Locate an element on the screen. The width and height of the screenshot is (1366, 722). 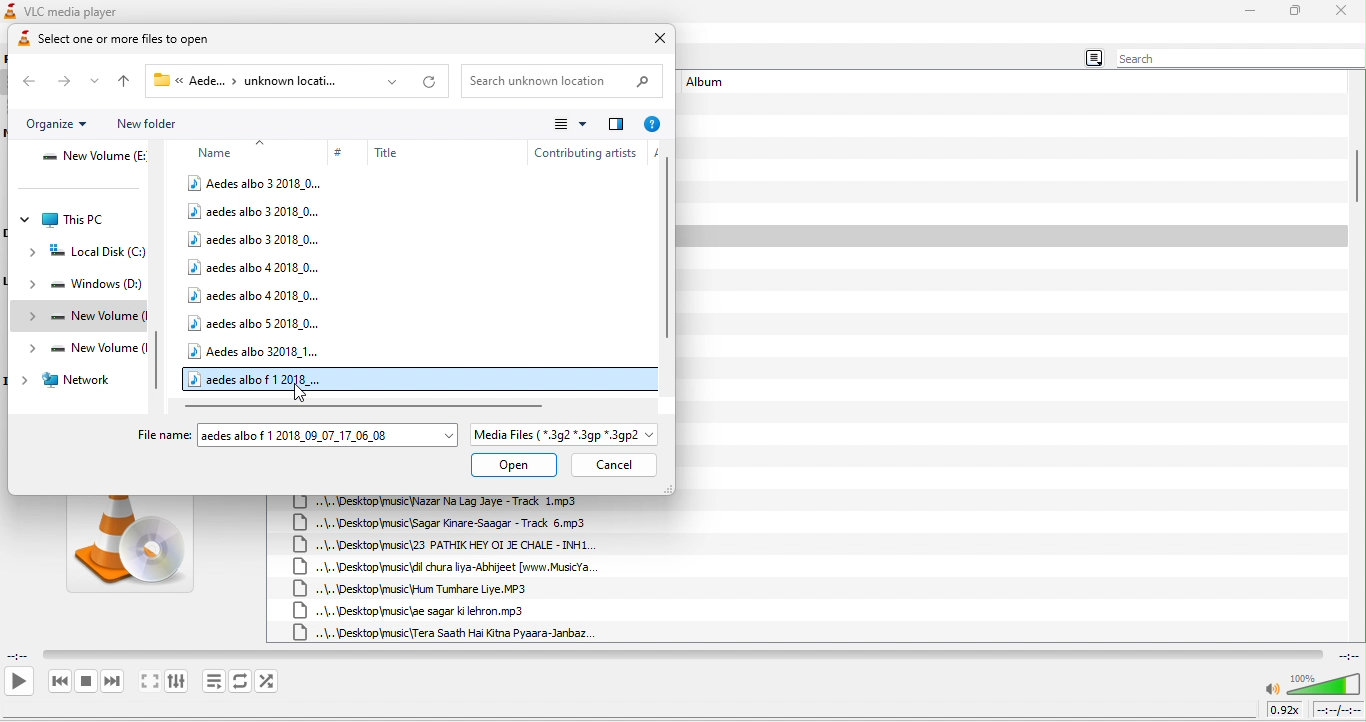
open is located at coordinates (514, 466).